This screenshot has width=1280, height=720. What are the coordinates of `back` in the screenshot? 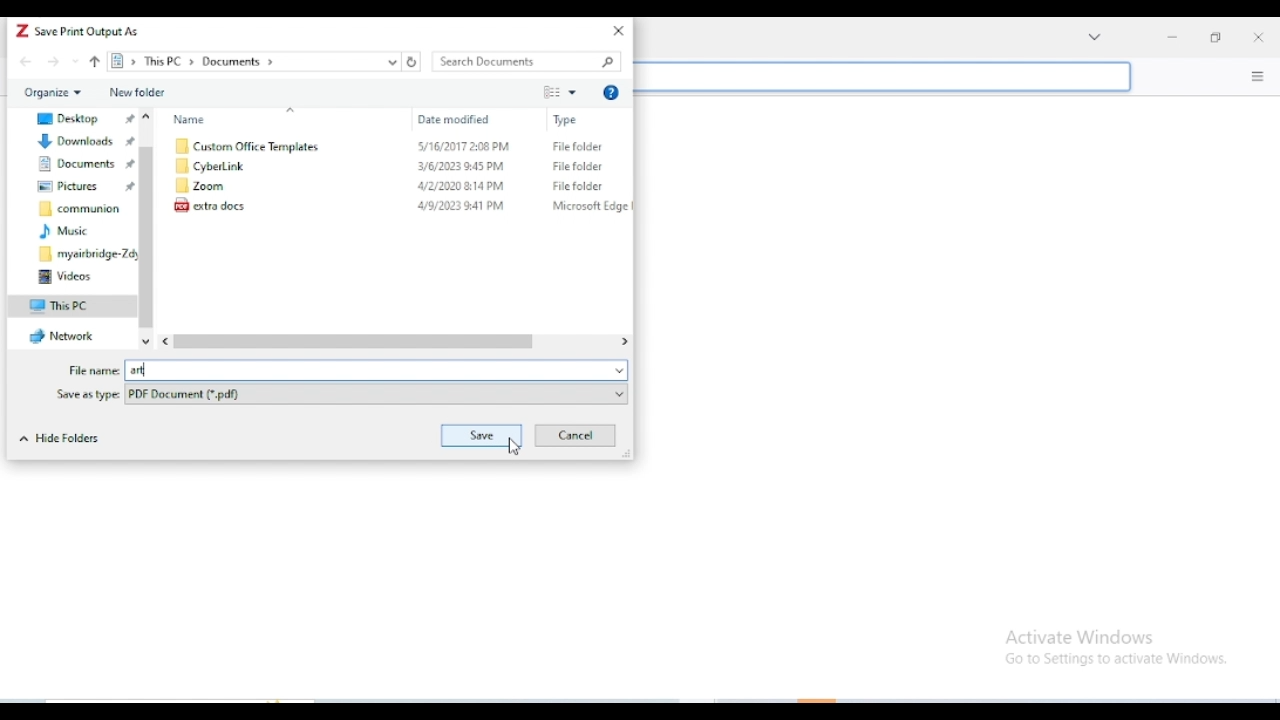 It's located at (26, 61).